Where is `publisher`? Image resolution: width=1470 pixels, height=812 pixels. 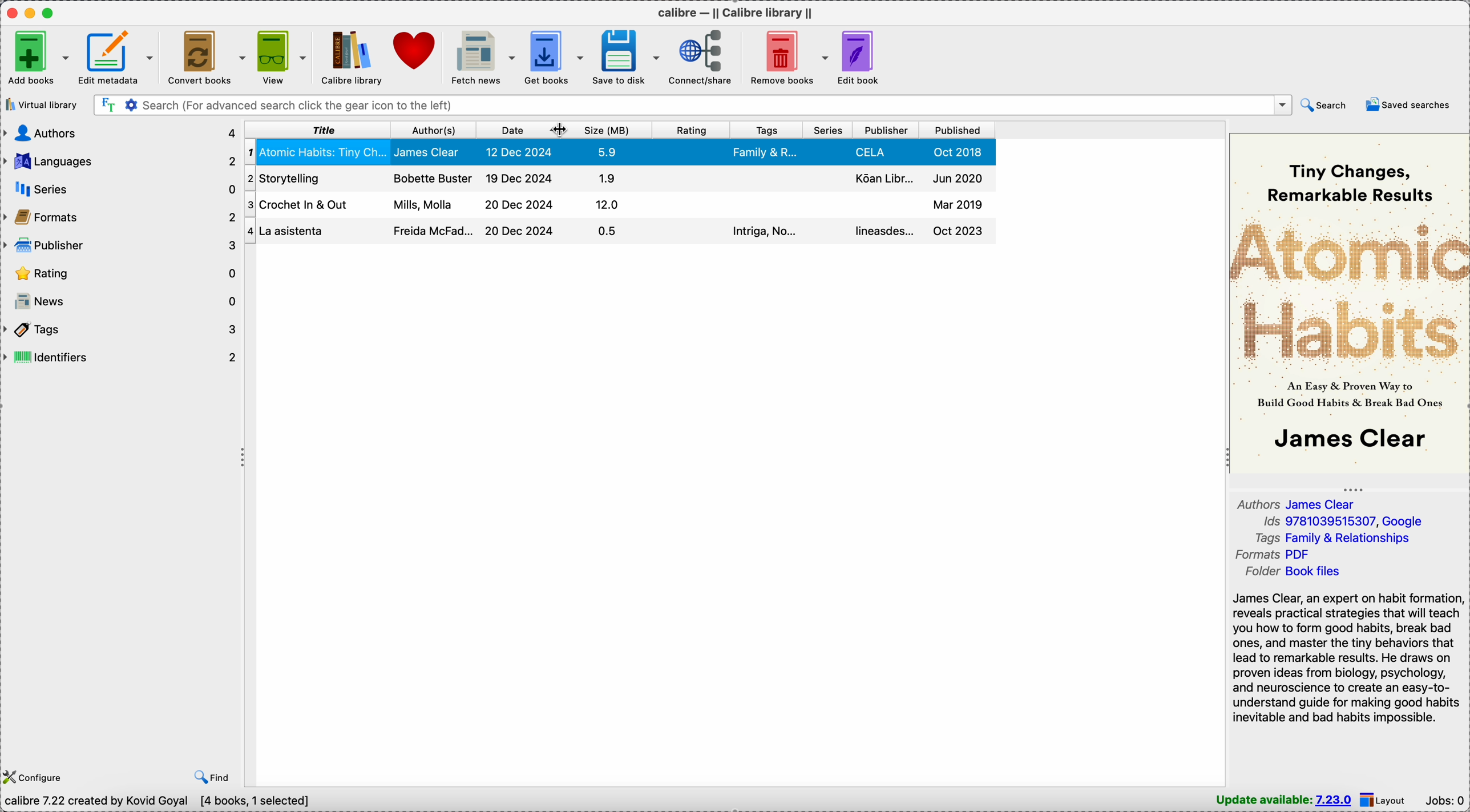 publisher is located at coordinates (887, 130).